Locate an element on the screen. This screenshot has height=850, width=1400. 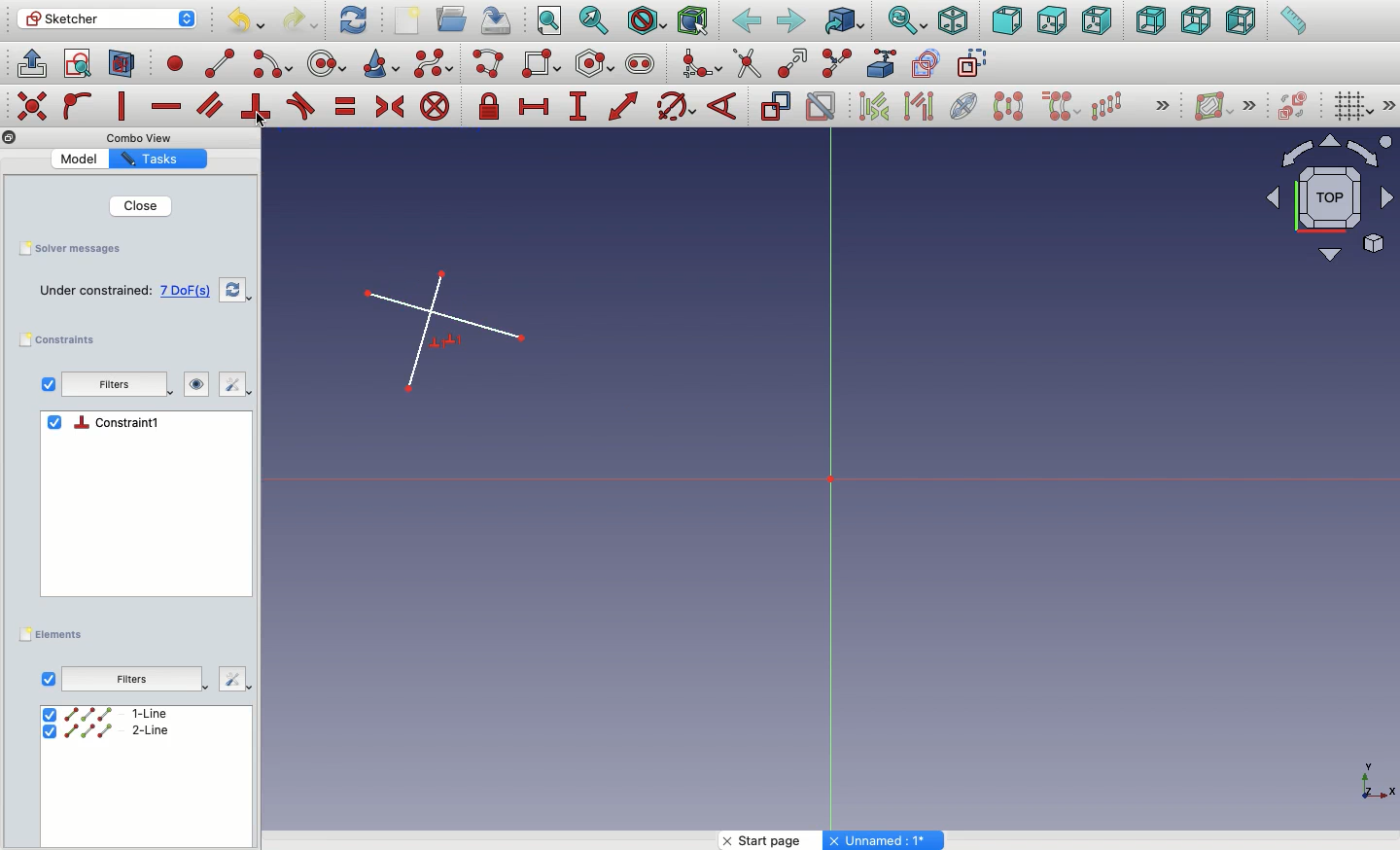
 is located at coordinates (30, 104).